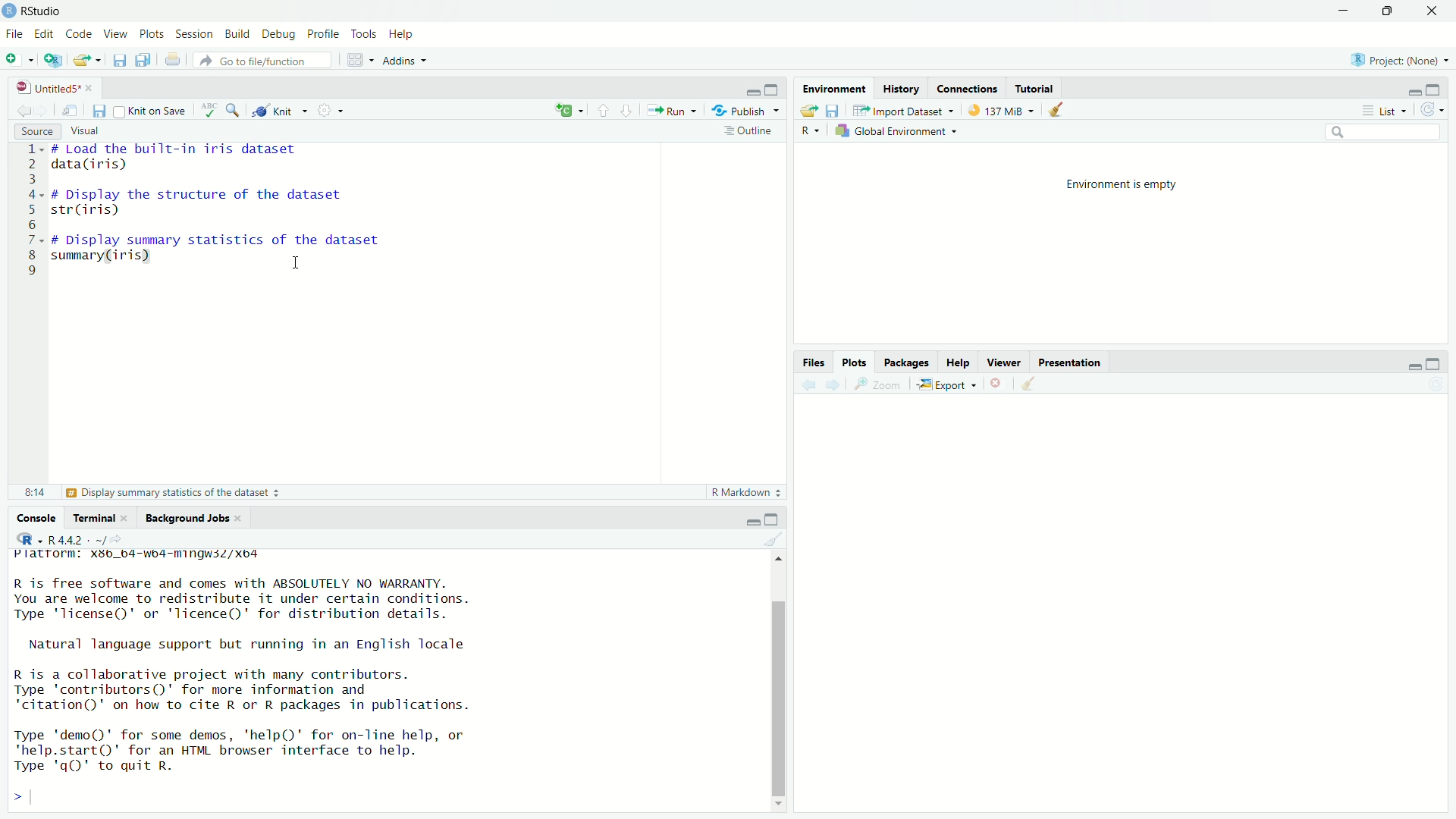 This screenshot has height=819, width=1456. Describe the element at coordinates (325, 33) in the screenshot. I see `Profile` at that location.